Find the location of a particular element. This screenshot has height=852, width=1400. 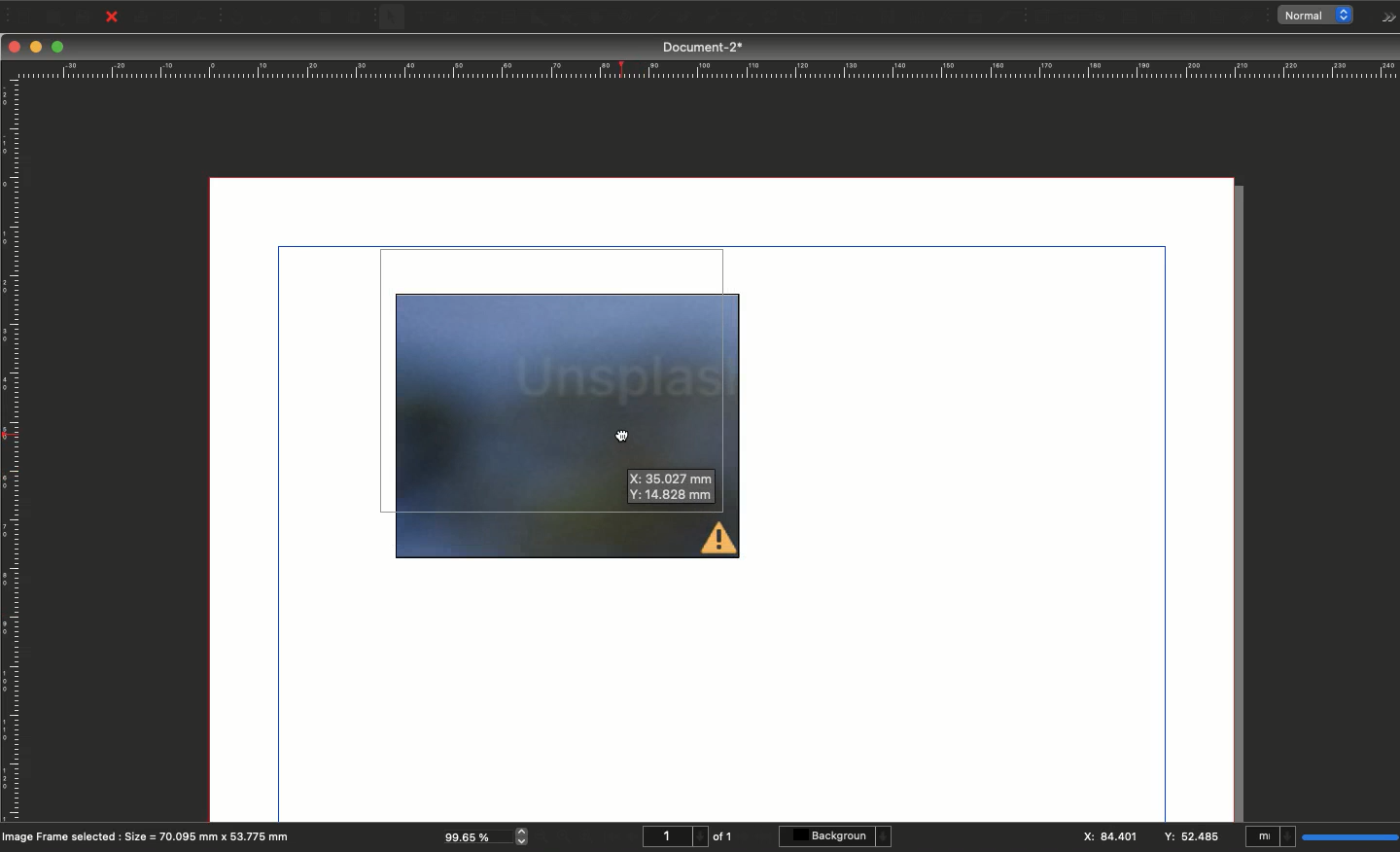

Cut is located at coordinates (296, 18).